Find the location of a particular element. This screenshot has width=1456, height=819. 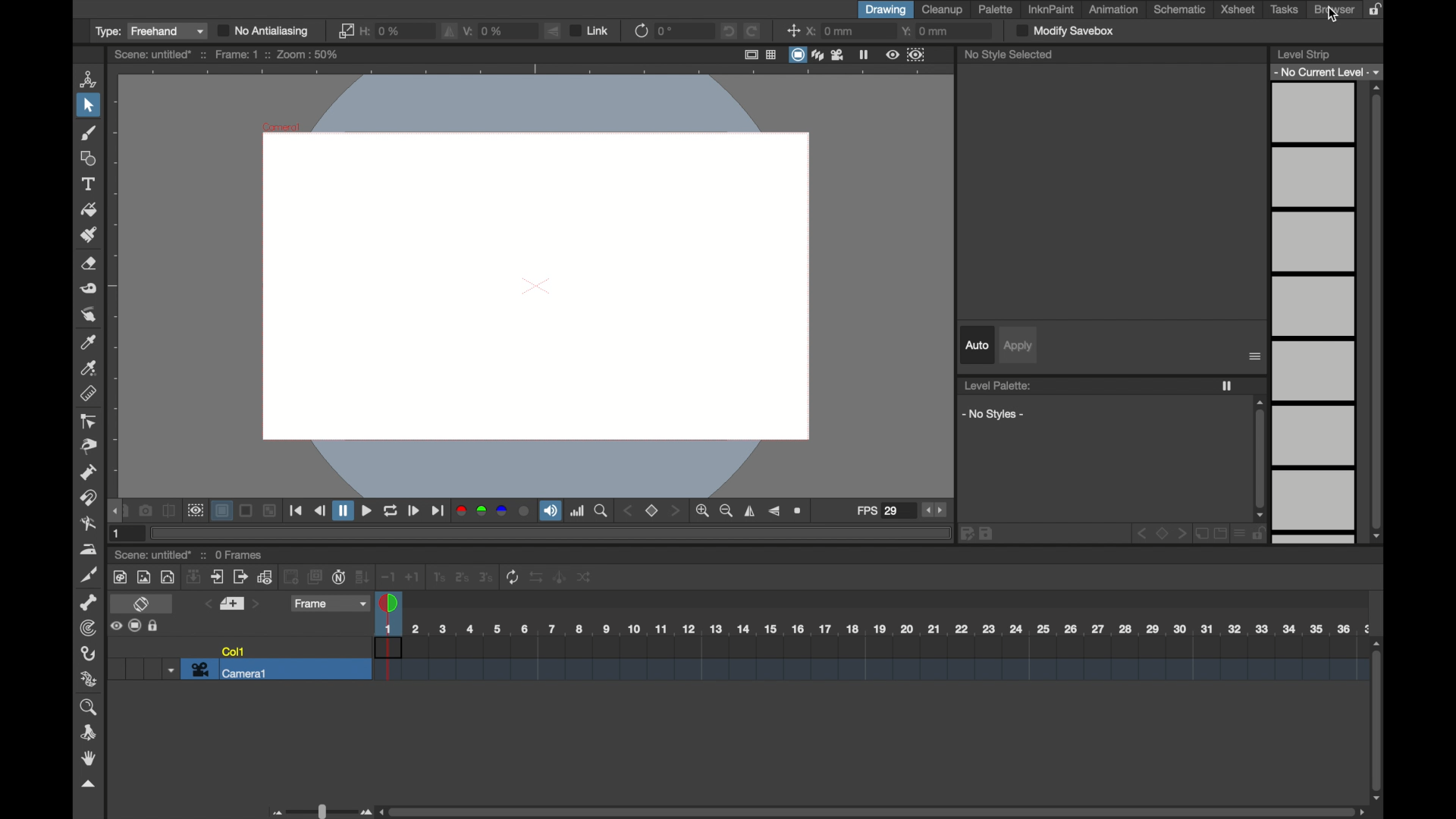

scroll box is located at coordinates (1259, 458).